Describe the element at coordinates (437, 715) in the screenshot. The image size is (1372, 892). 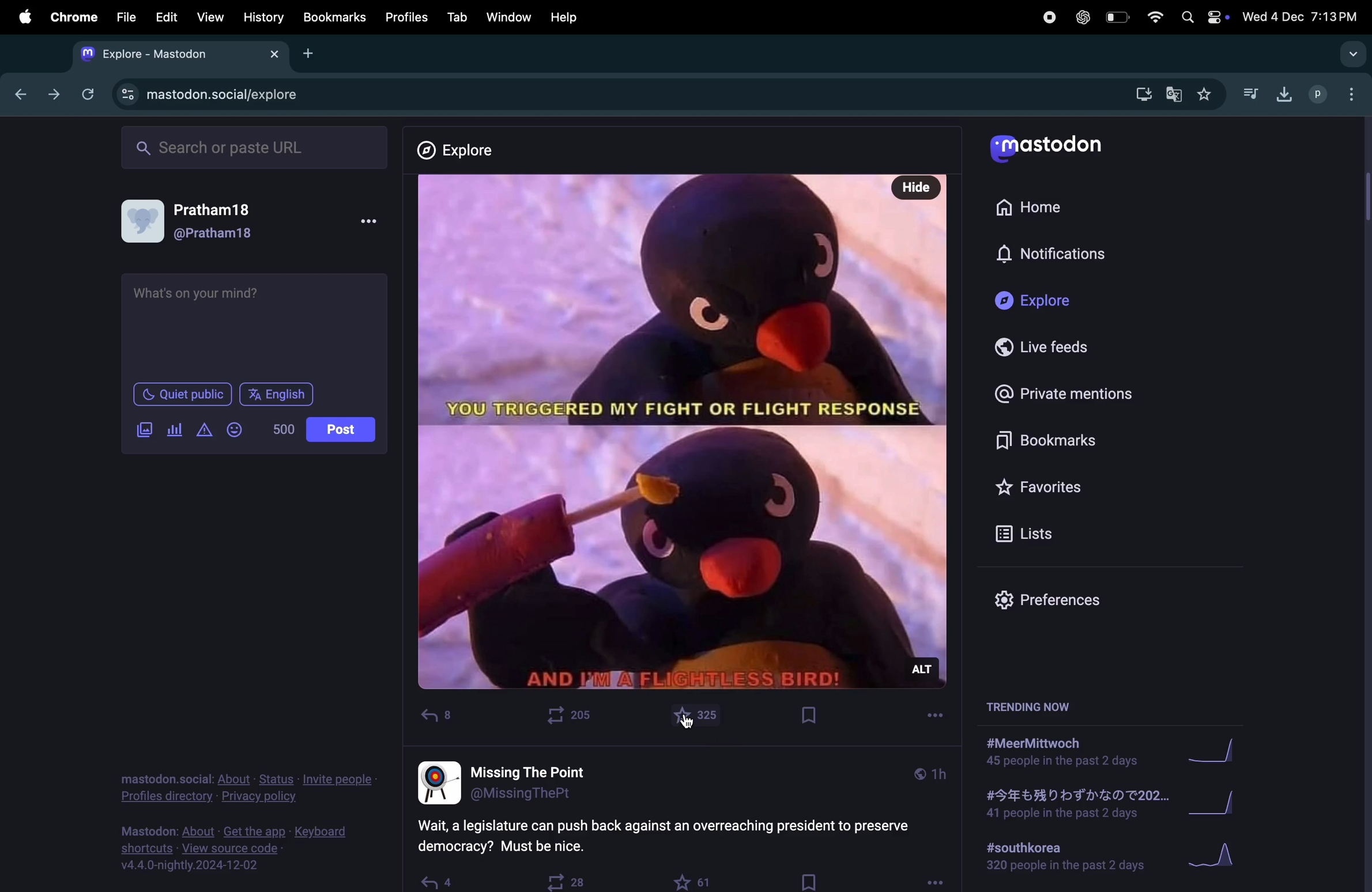
I see `reply` at that location.